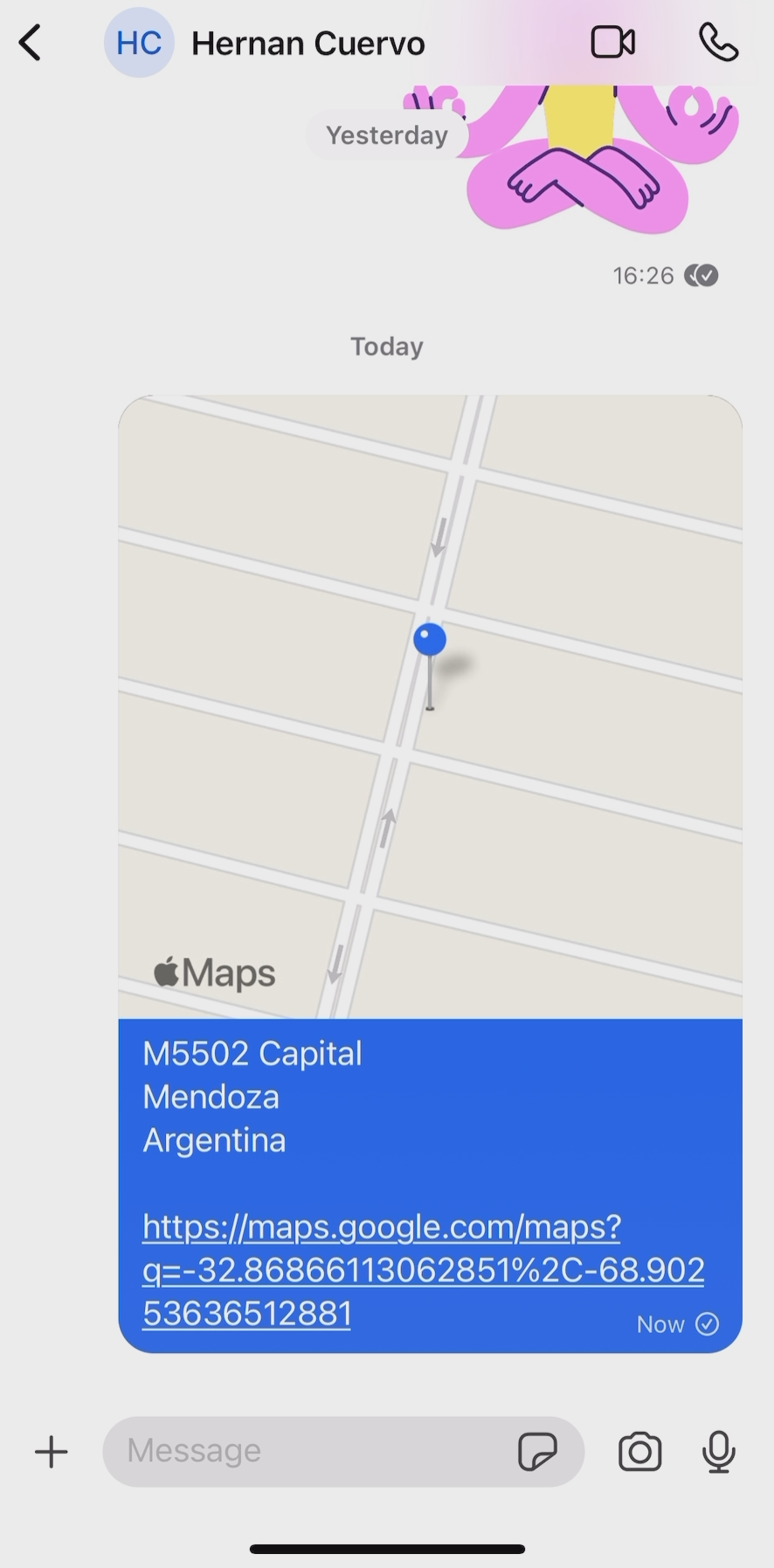  What do you see at coordinates (719, 1453) in the screenshot?
I see `voice record` at bounding box center [719, 1453].